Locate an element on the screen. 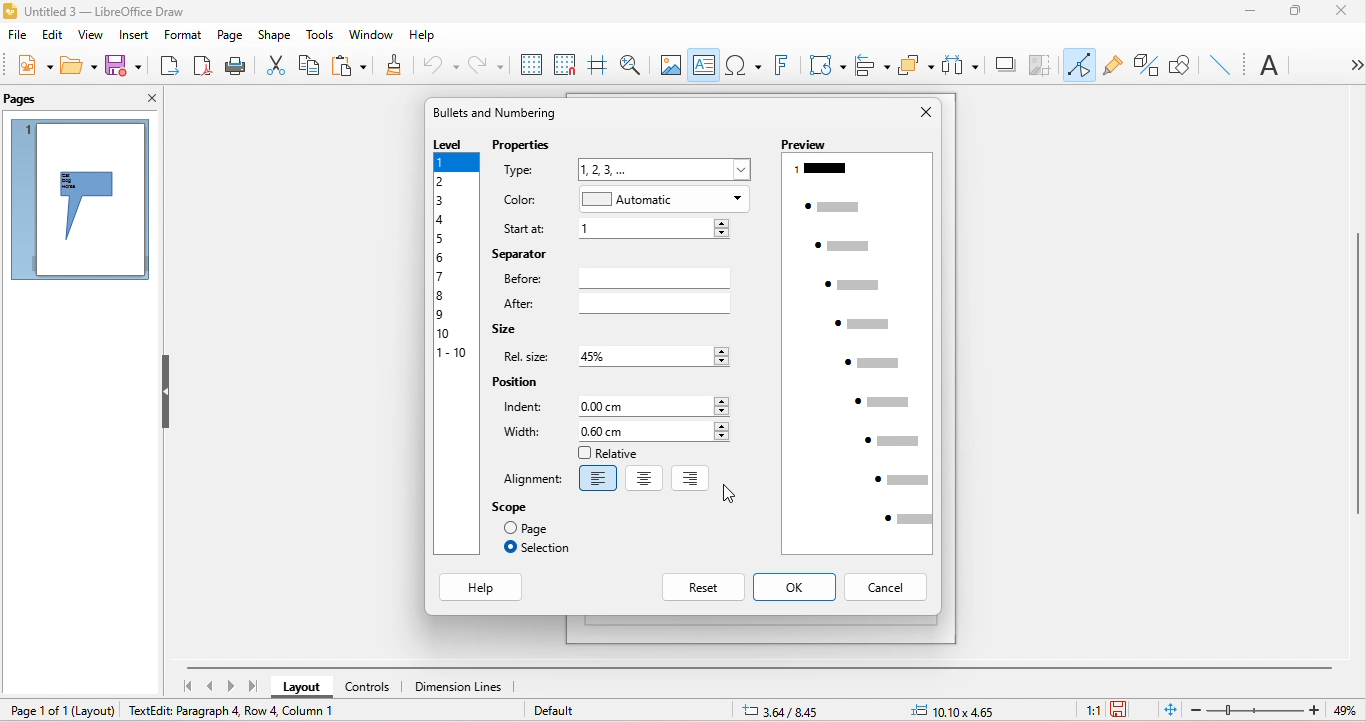 This screenshot has width=1366, height=722. textedit paragraph 2, row 2, column 4 is located at coordinates (269, 711).